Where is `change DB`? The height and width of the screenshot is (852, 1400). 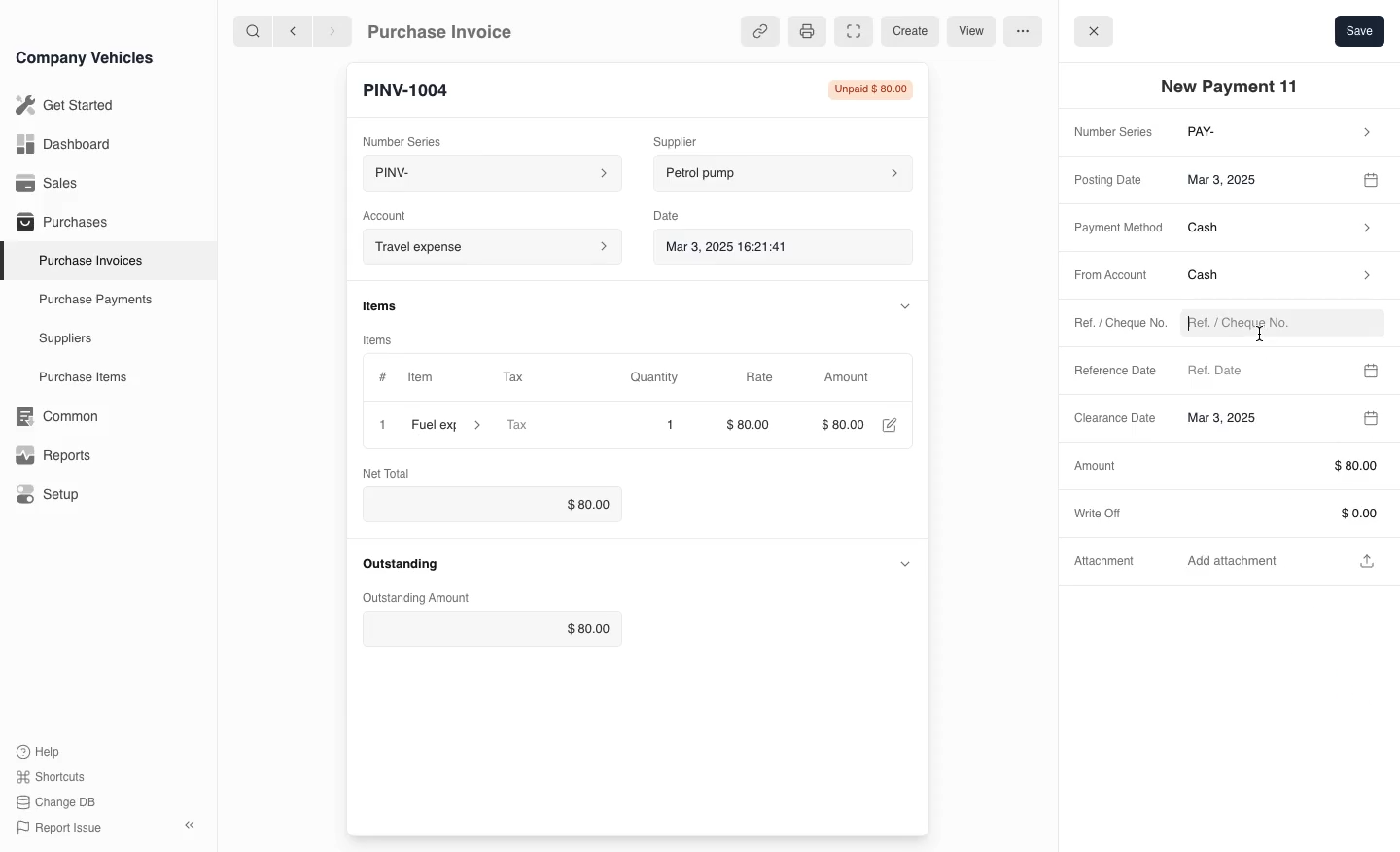 change DB is located at coordinates (58, 802).